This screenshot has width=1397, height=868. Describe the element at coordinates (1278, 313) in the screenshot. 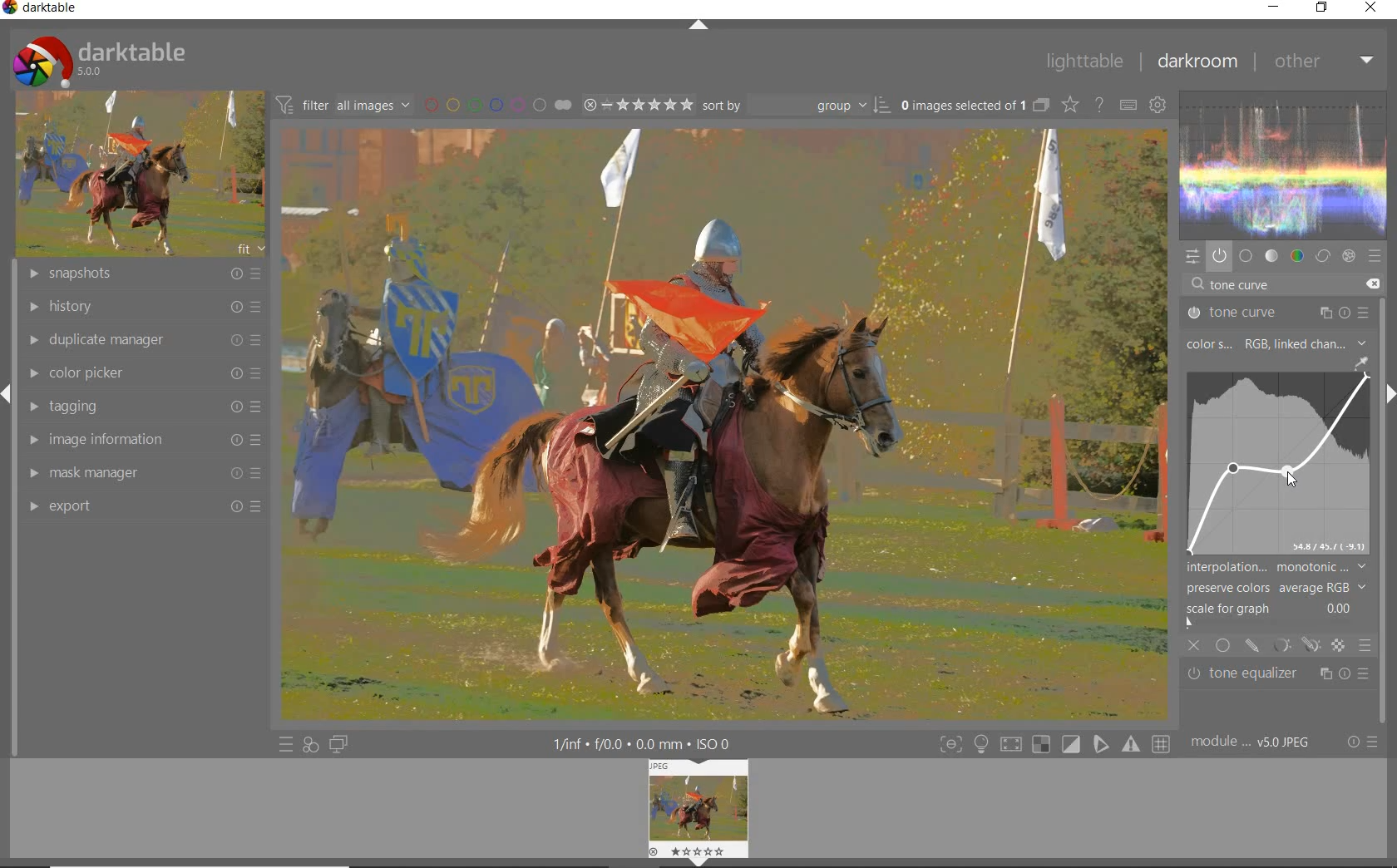

I see `tone curve` at that location.